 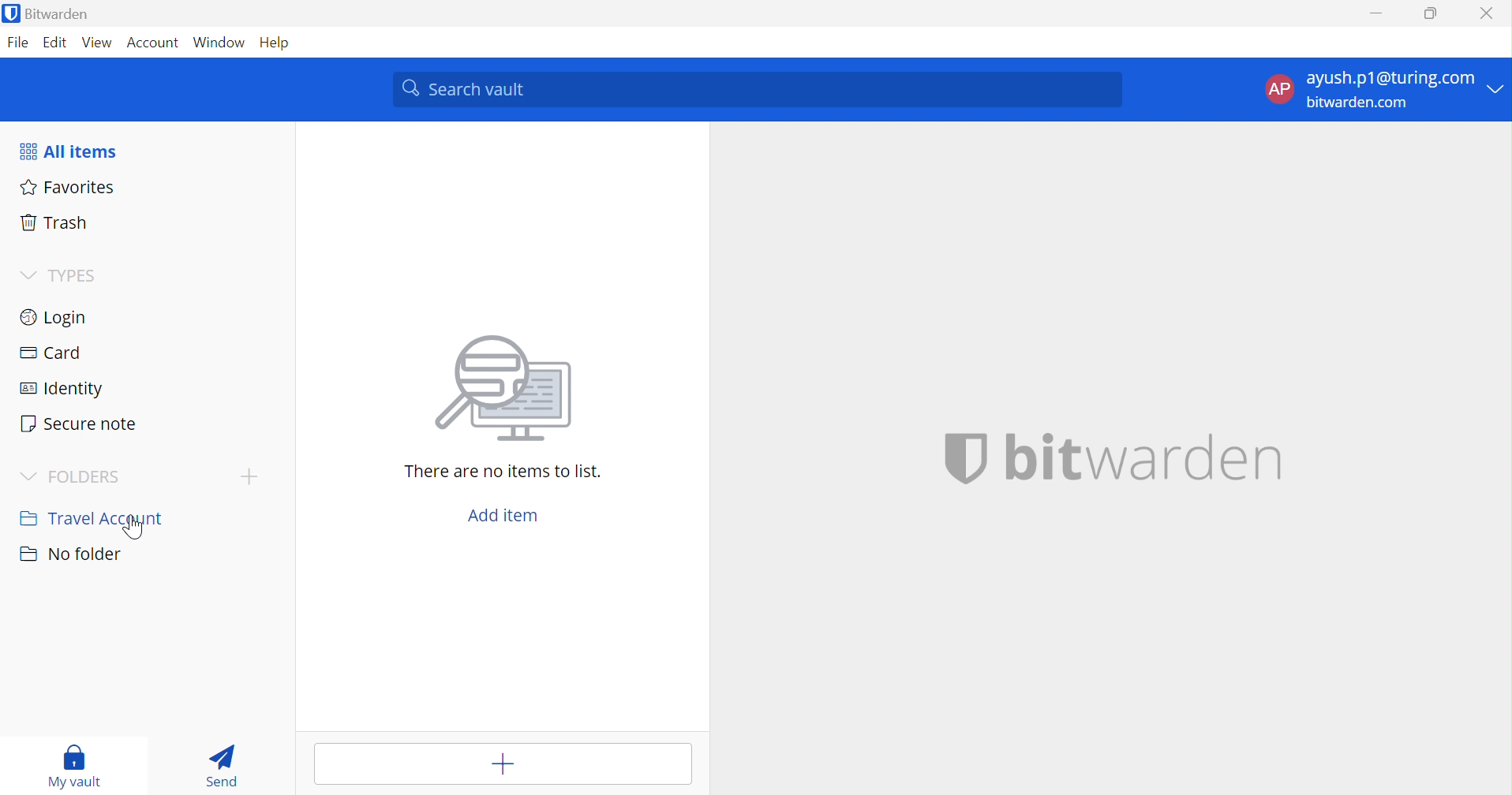 What do you see at coordinates (505, 390) in the screenshot?
I see `searching for file image` at bounding box center [505, 390].